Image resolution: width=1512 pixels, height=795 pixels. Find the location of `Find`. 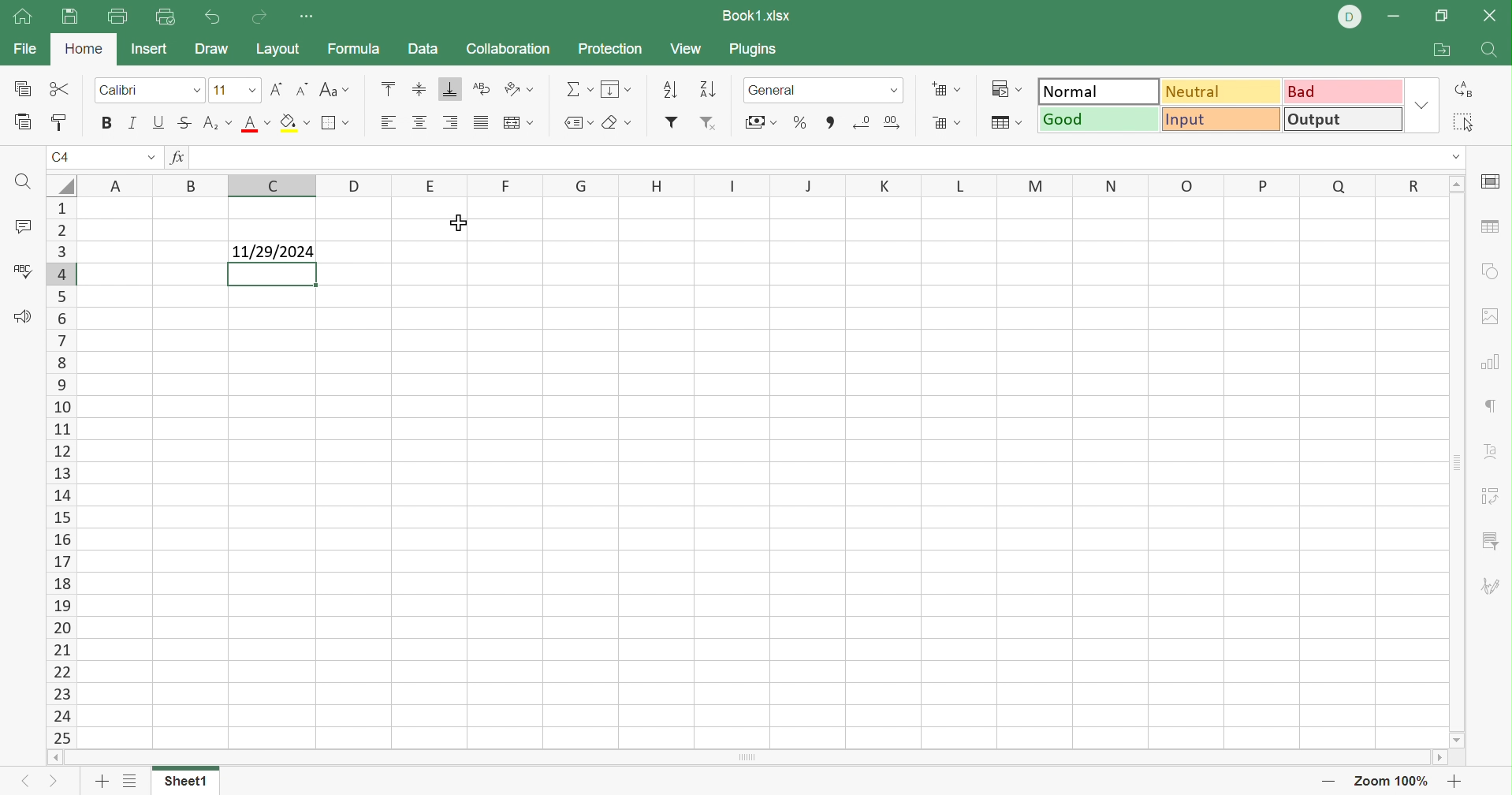

Find is located at coordinates (23, 181).